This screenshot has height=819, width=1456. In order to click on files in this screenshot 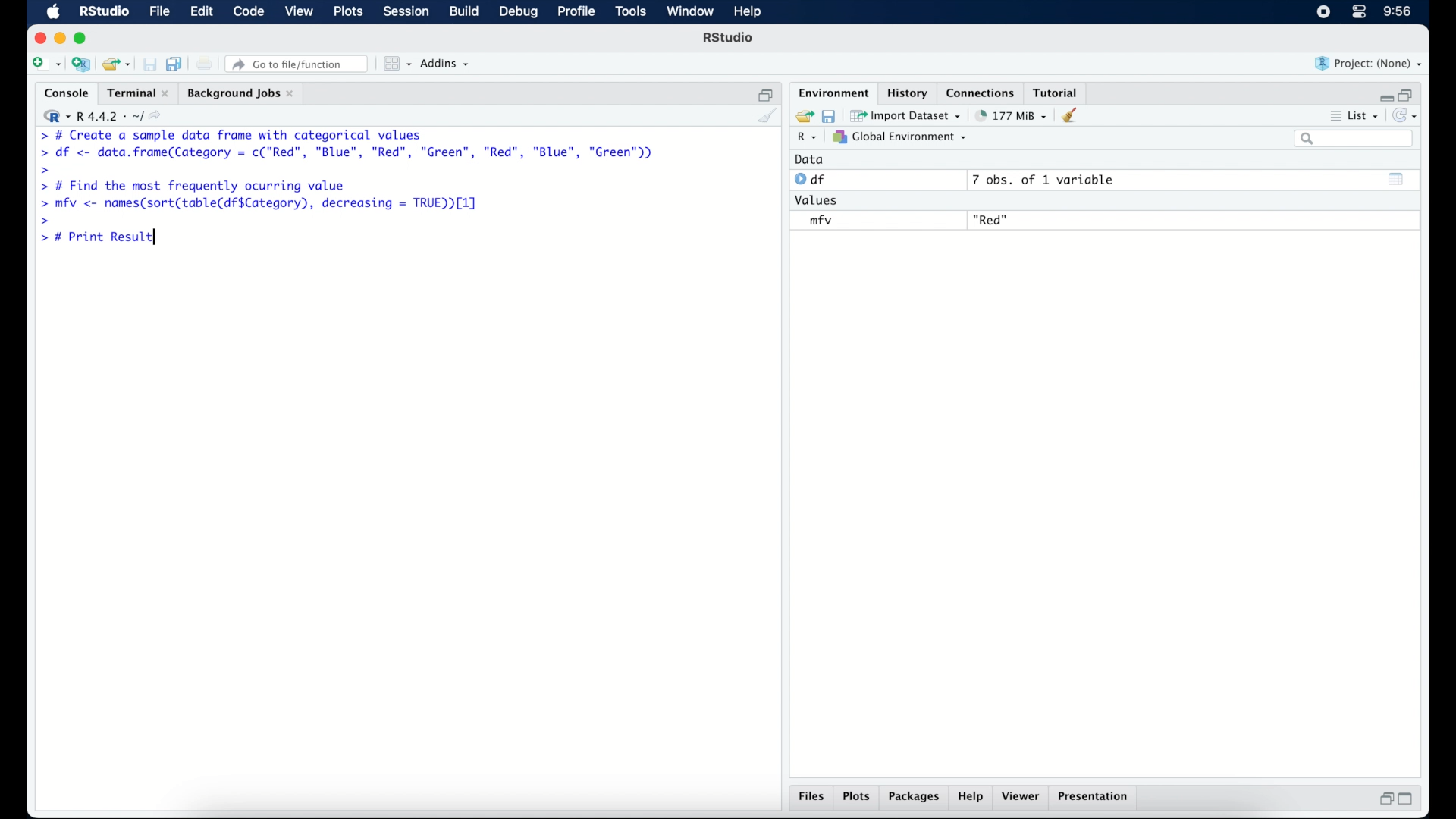, I will do `click(810, 798)`.